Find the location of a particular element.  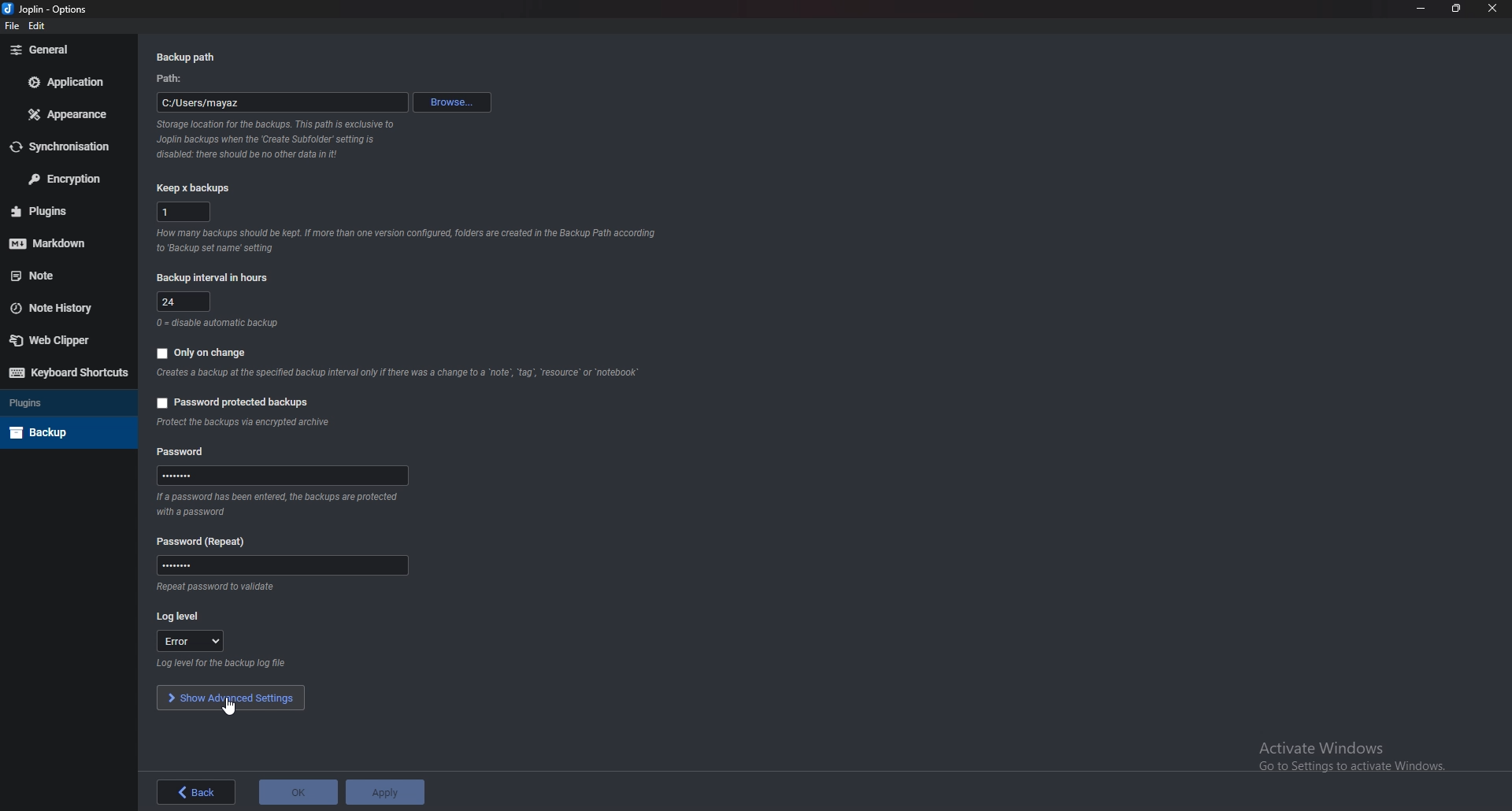

error is located at coordinates (190, 639).